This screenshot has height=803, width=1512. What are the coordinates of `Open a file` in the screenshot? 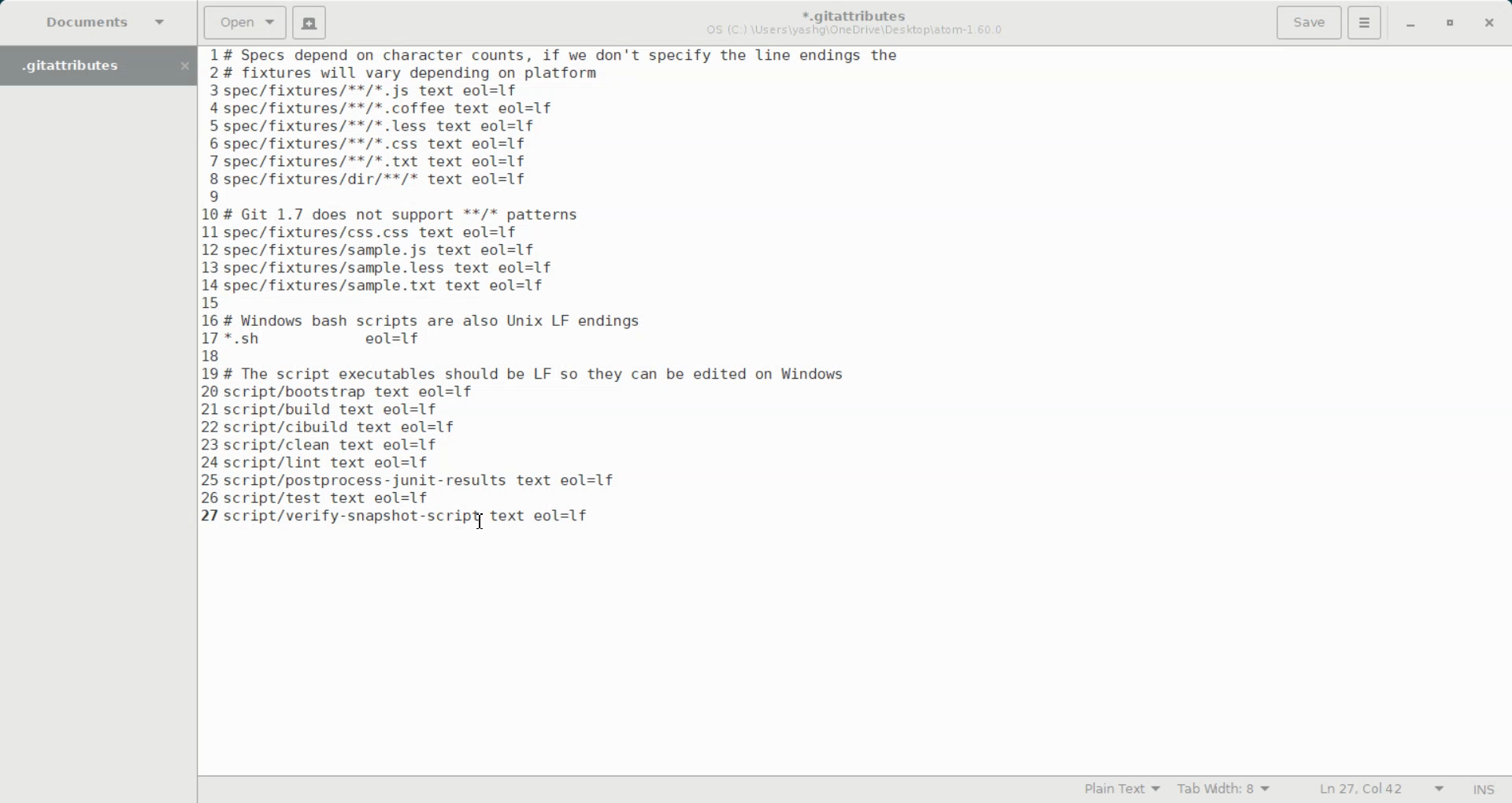 It's located at (245, 21).